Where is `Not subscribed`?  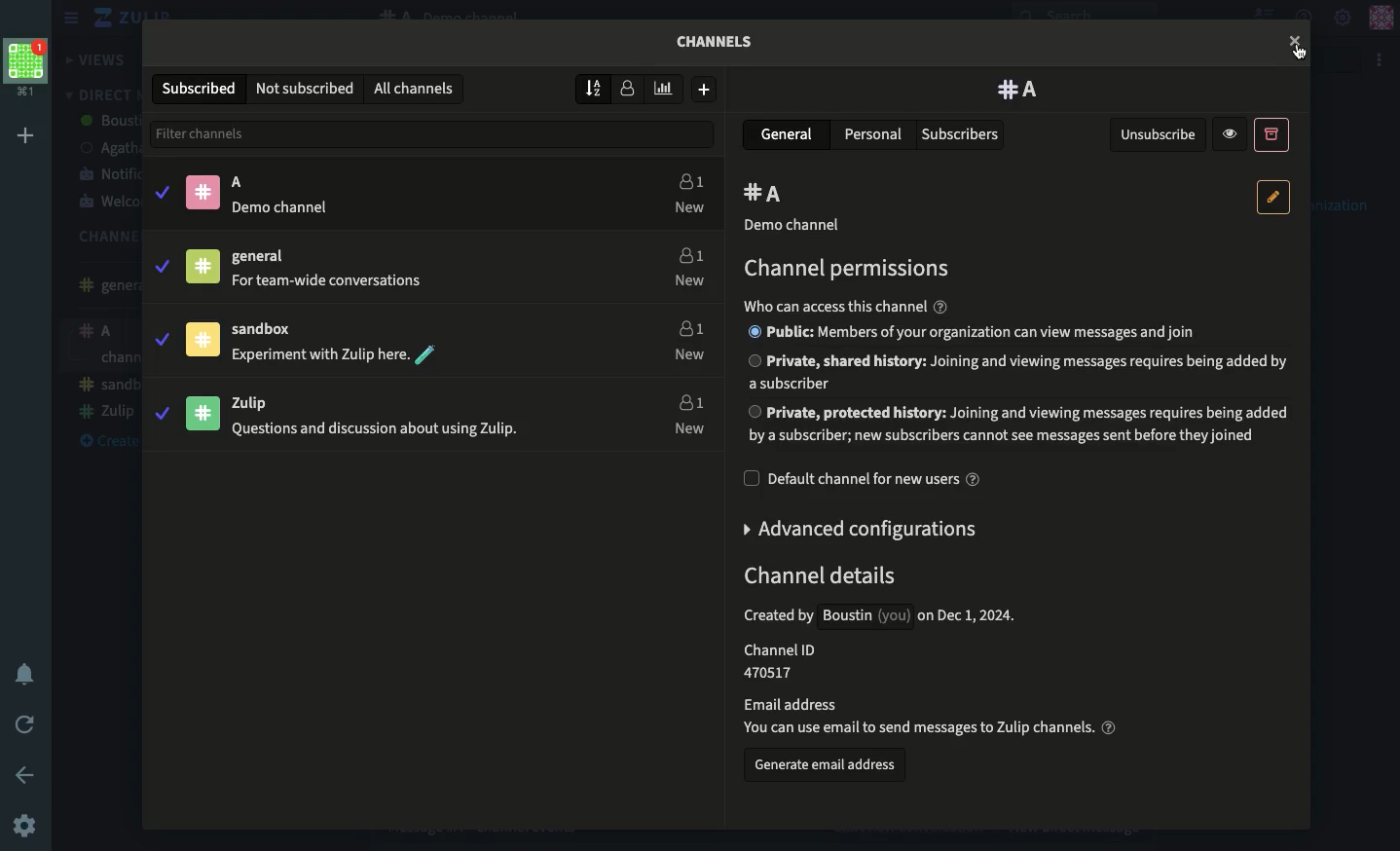
Not subscribed is located at coordinates (306, 89).